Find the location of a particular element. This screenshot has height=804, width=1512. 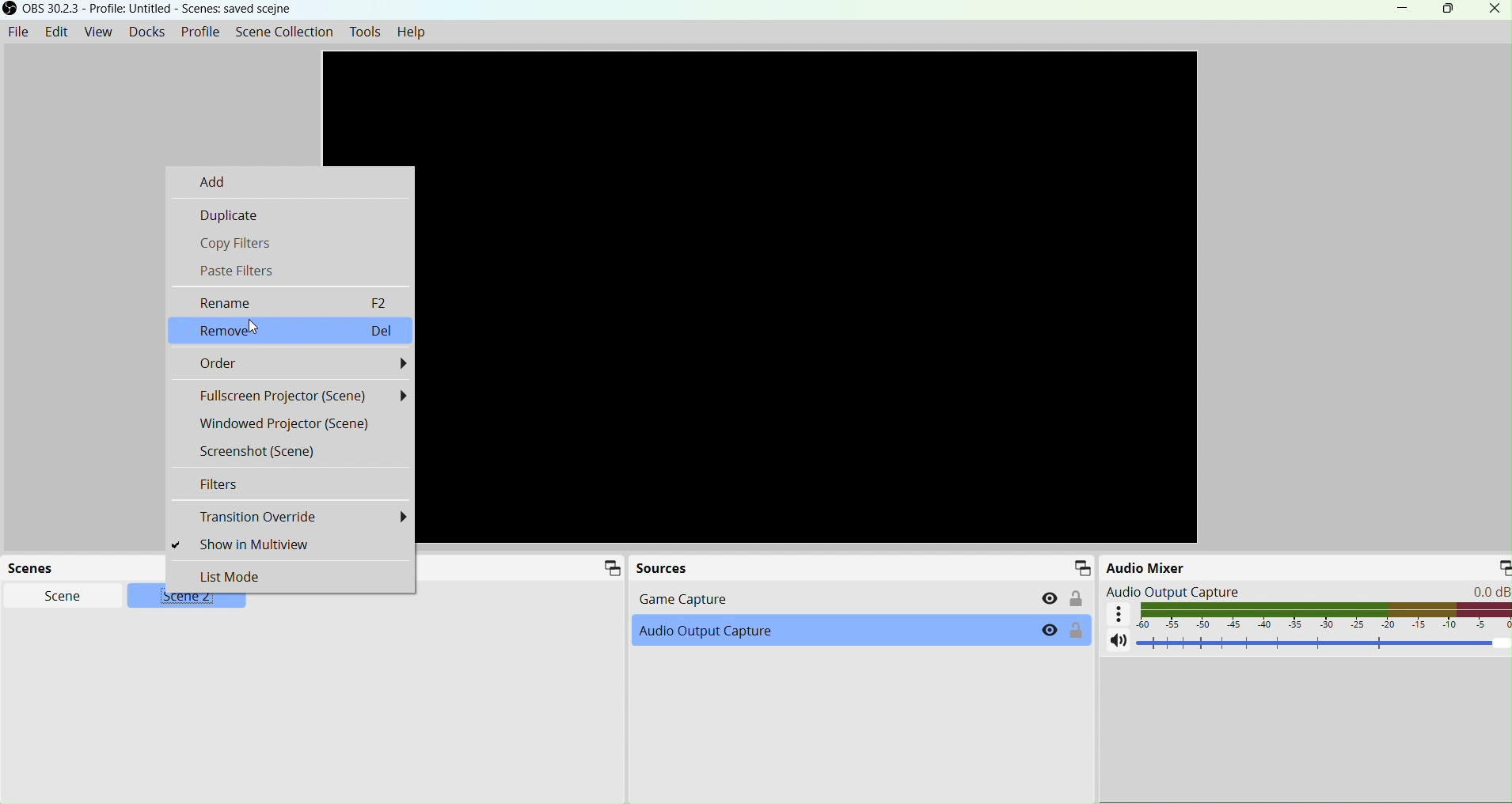

List Mode is located at coordinates (291, 576).